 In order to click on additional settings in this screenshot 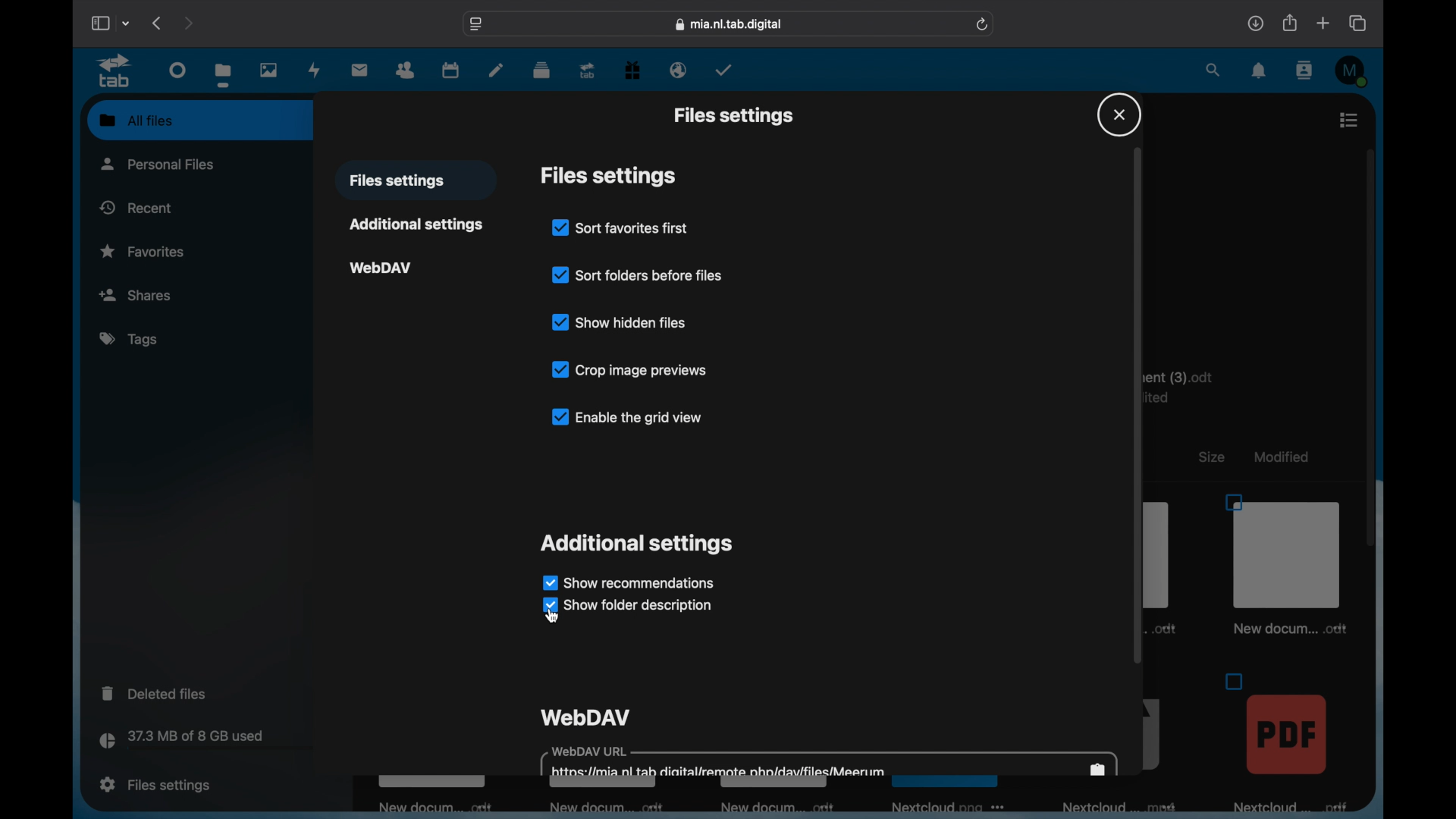, I will do `click(415, 224)`.